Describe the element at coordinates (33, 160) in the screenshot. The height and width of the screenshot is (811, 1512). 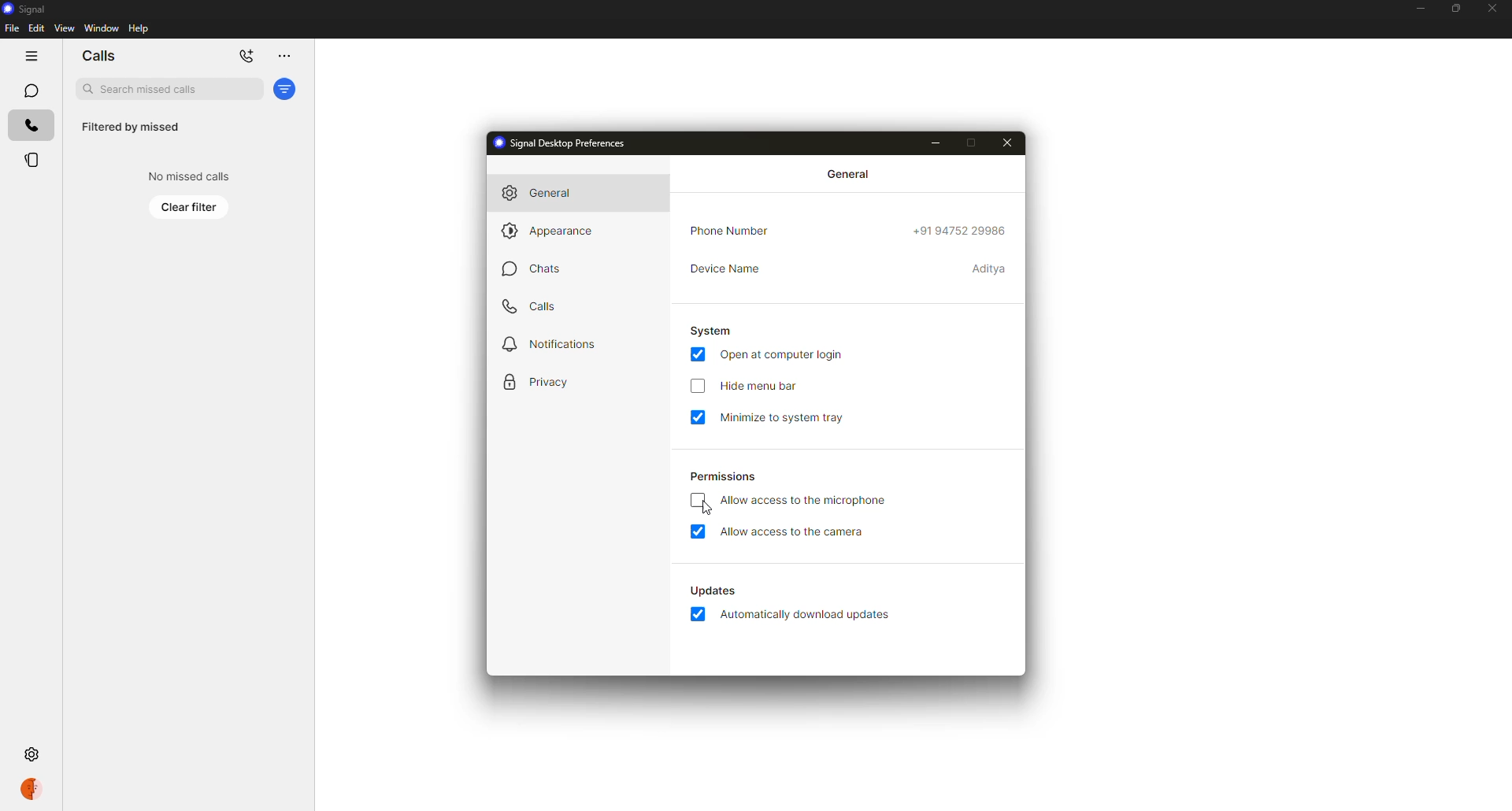
I see `stories` at that location.